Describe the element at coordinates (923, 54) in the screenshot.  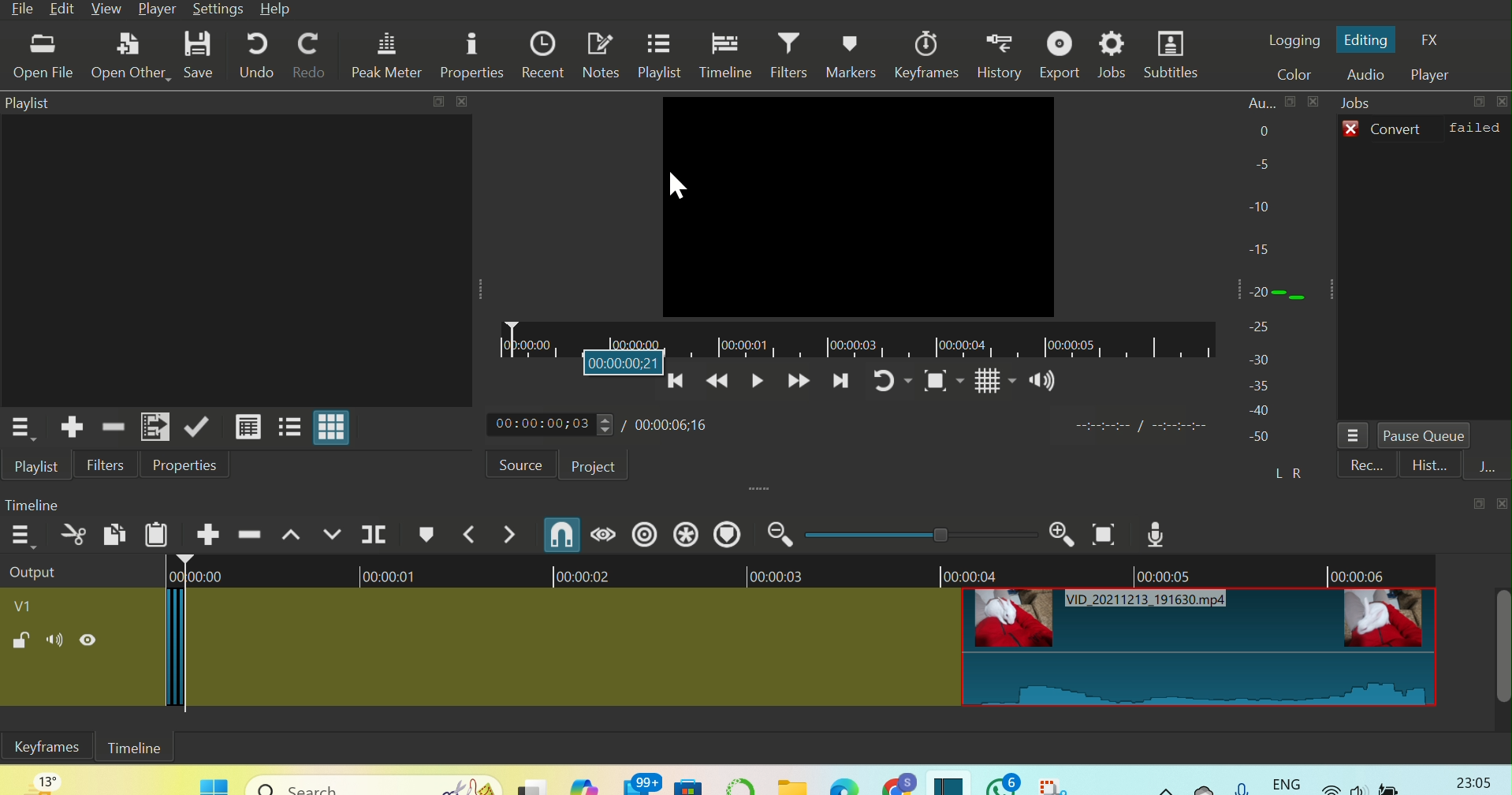
I see `Keyframes` at that location.